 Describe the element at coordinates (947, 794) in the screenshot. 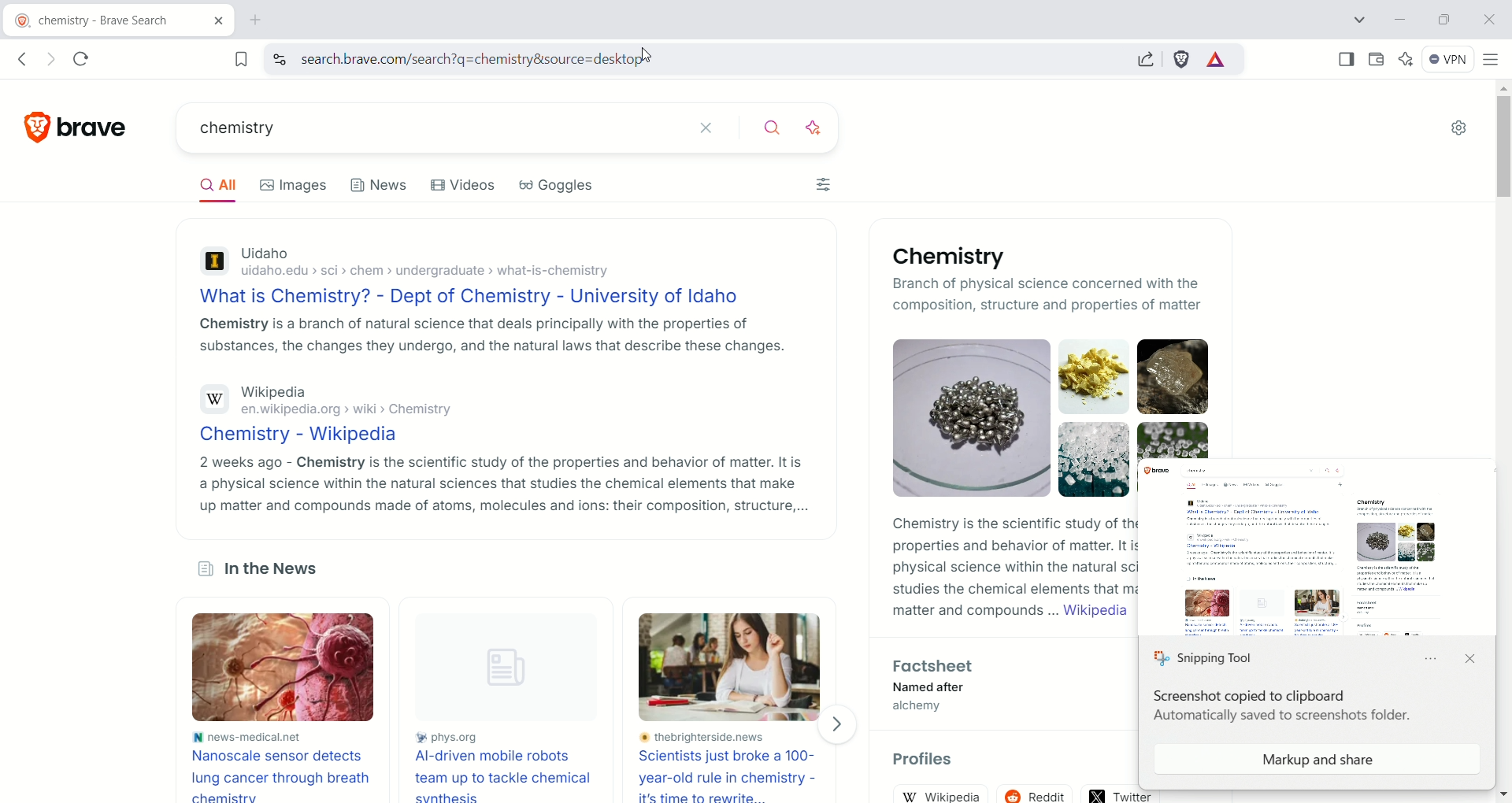

I see `wikipedia` at that location.